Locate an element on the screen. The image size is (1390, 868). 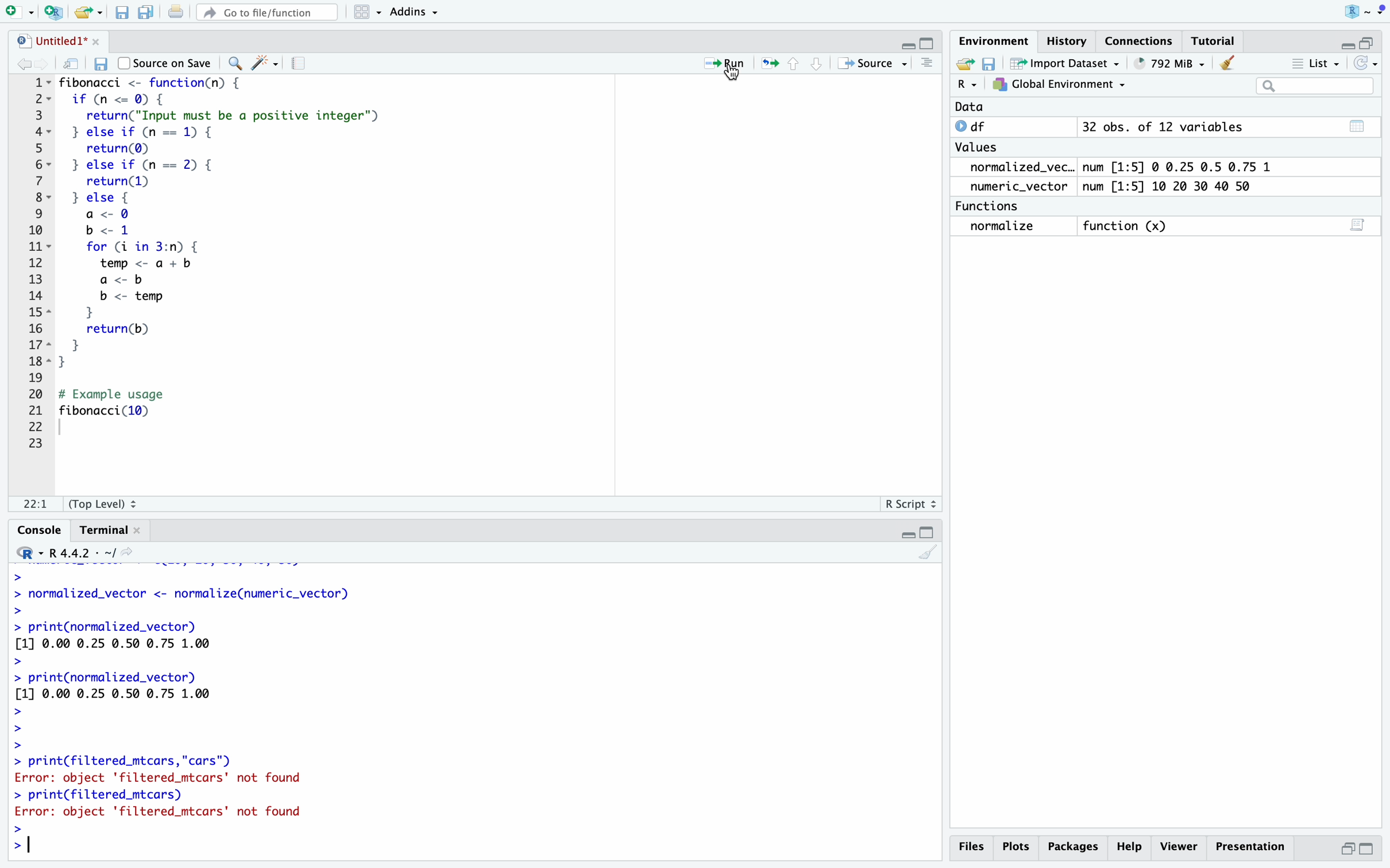
history is located at coordinates (1064, 40).